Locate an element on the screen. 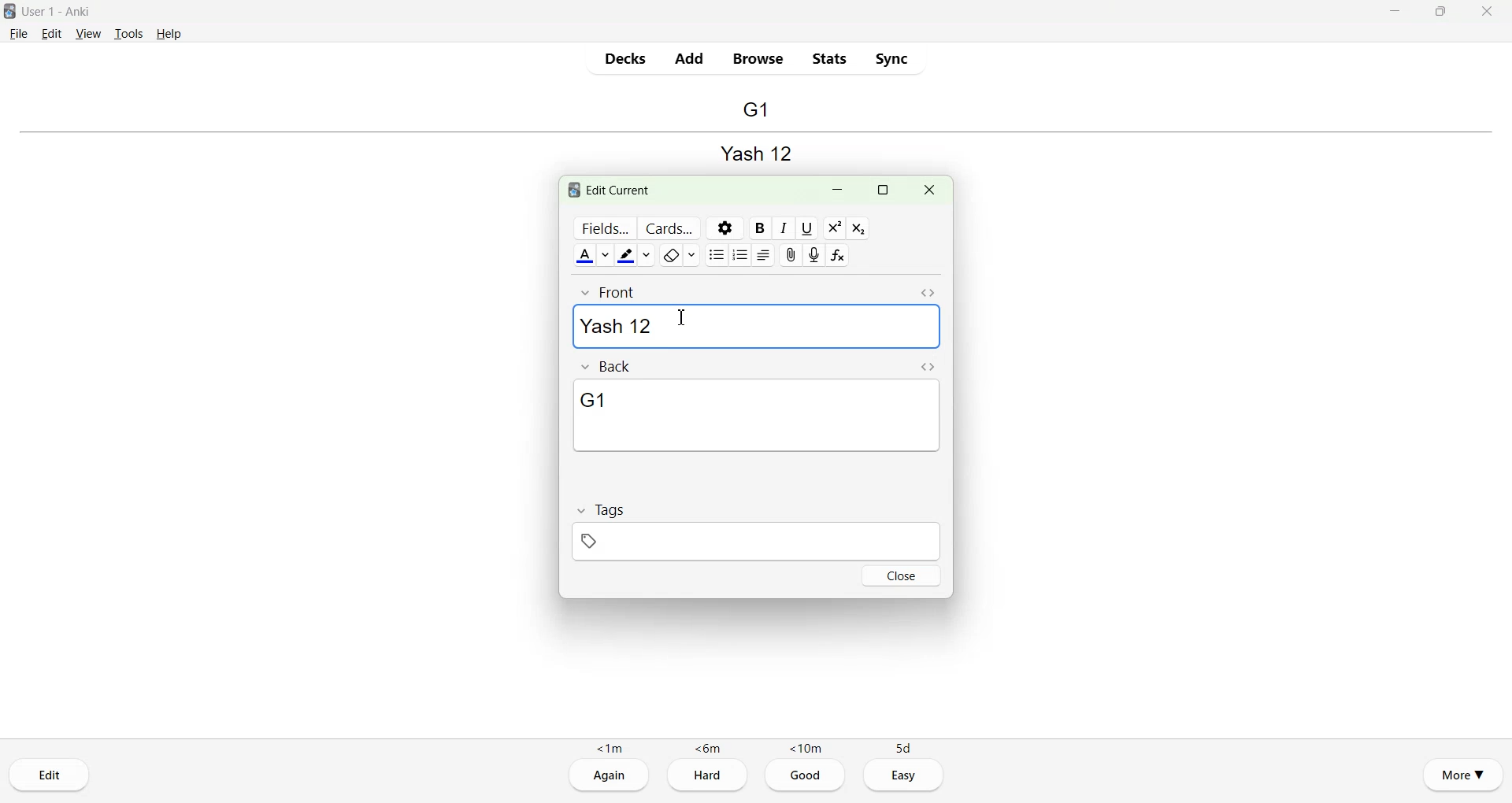 The image size is (1512, 803). Maximize is located at coordinates (1440, 11).